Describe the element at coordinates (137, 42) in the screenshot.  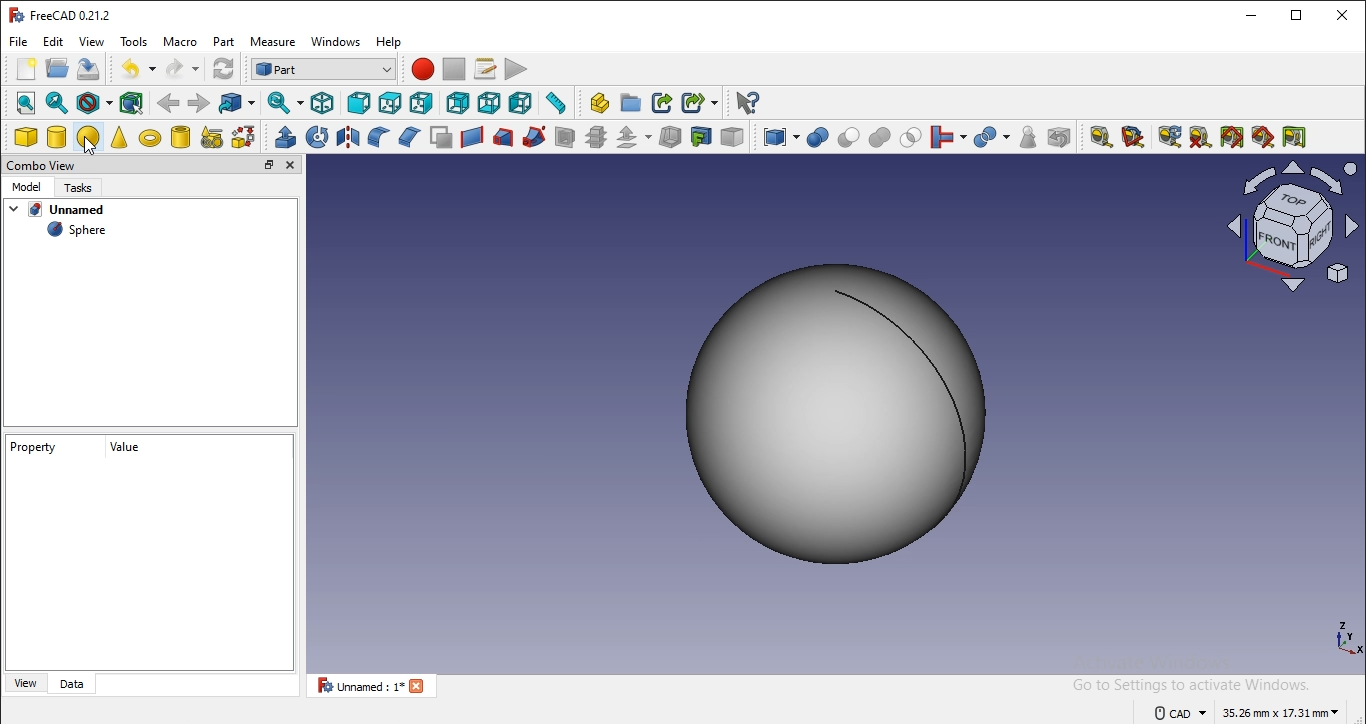
I see `tools` at that location.